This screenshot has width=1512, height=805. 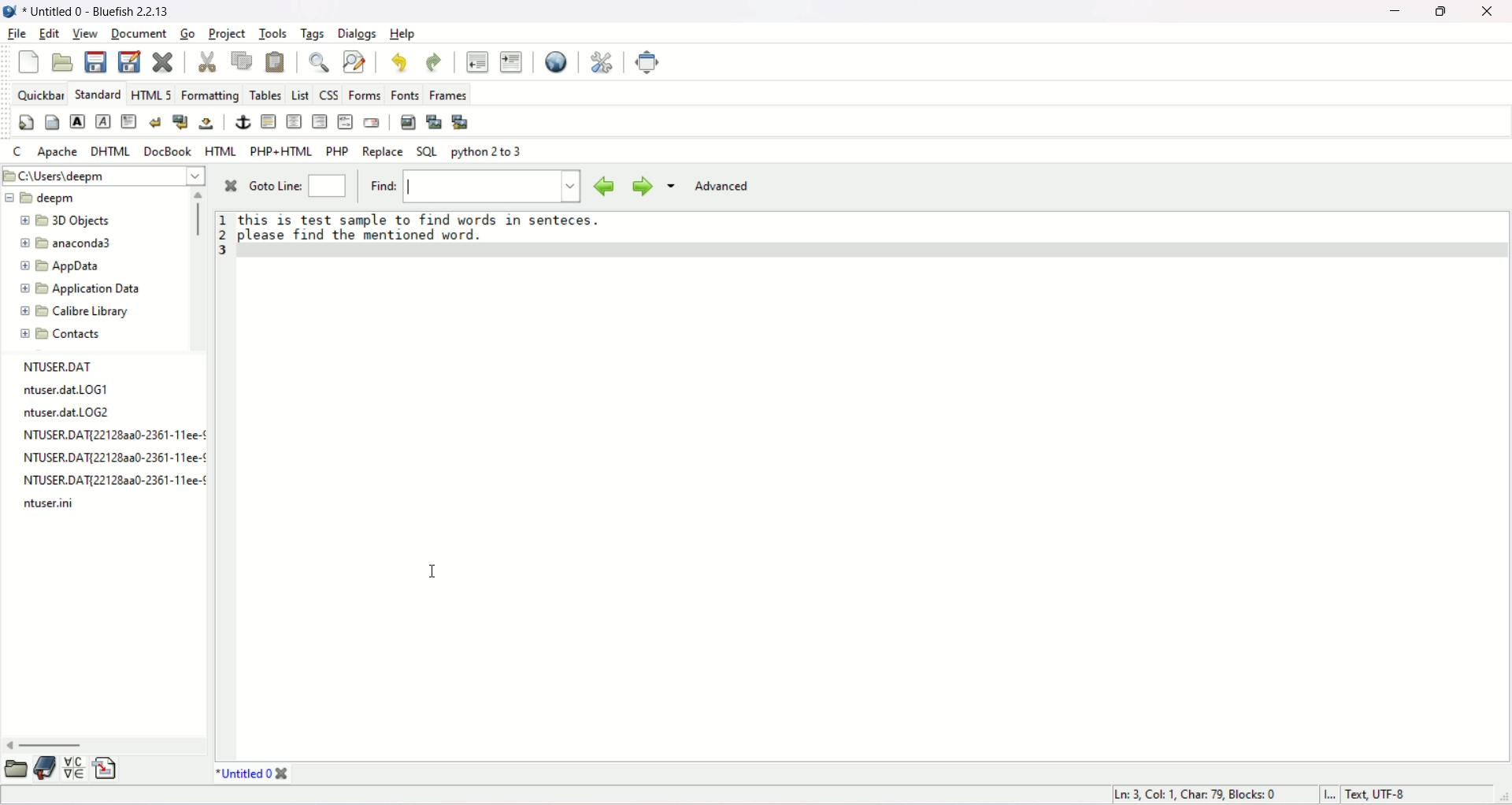 I want to click on close, so click(x=1491, y=12).